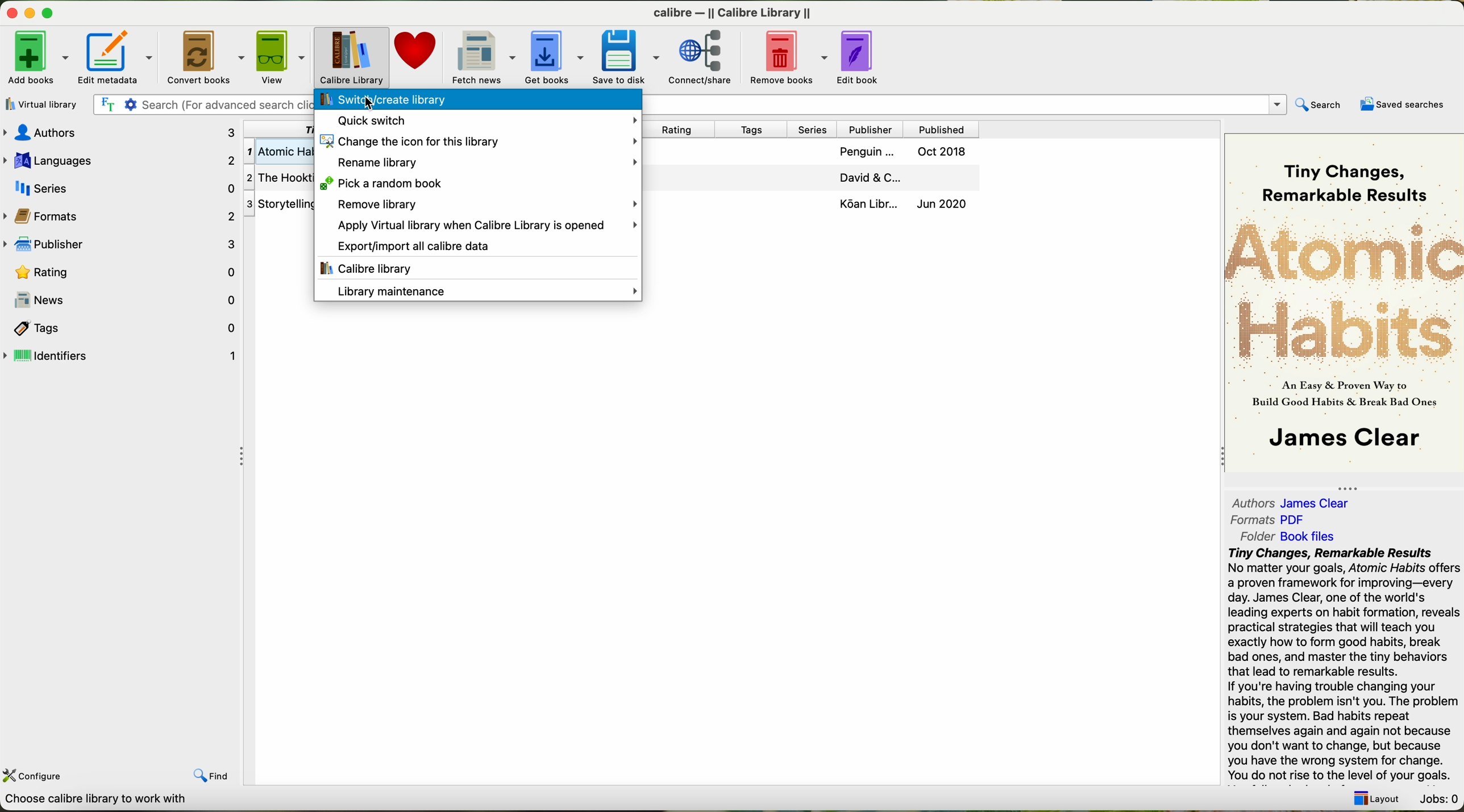  What do you see at coordinates (122, 216) in the screenshot?
I see `formats` at bounding box center [122, 216].